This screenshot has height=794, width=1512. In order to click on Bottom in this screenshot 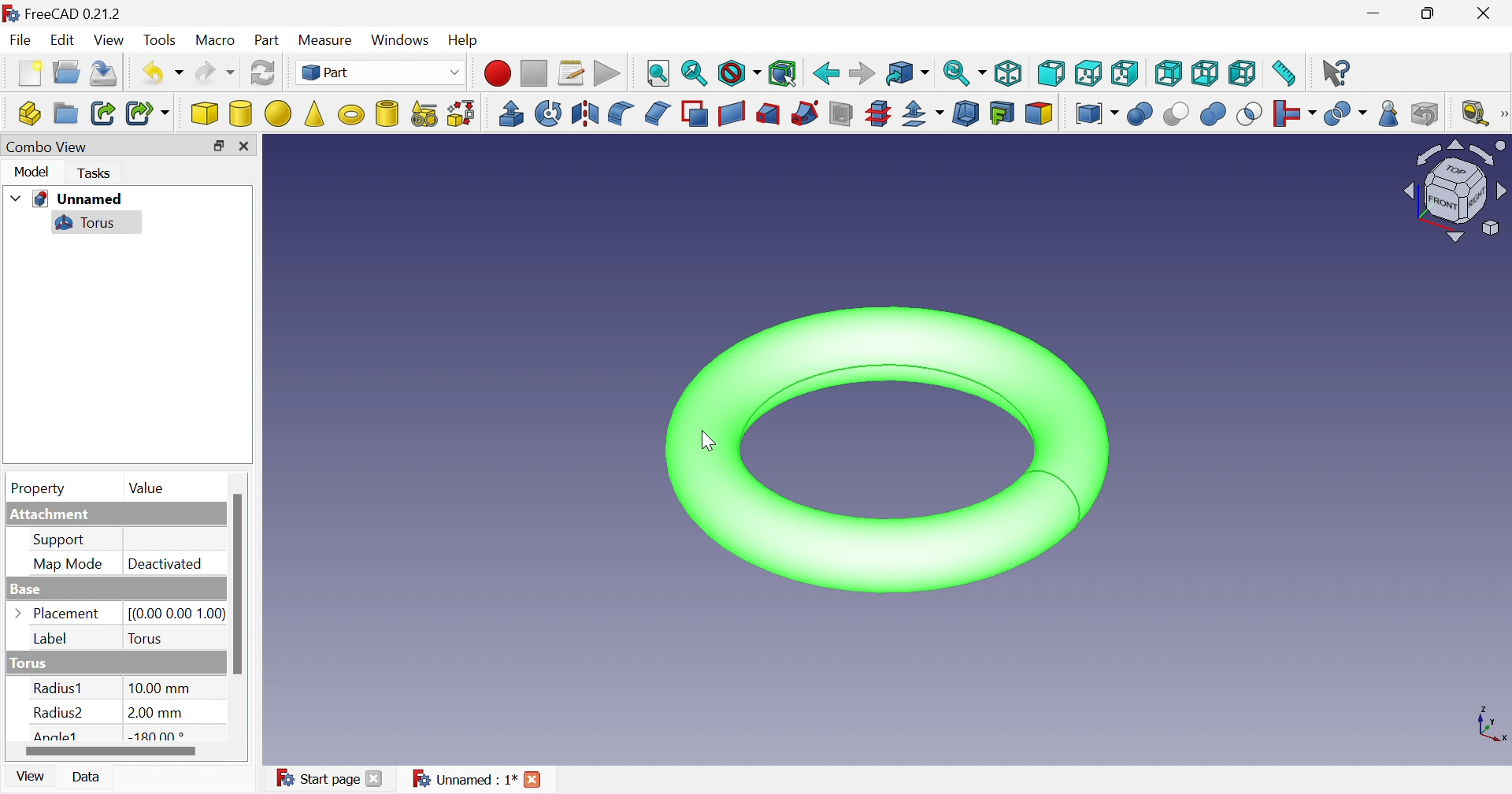, I will do `click(1203, 74)`.